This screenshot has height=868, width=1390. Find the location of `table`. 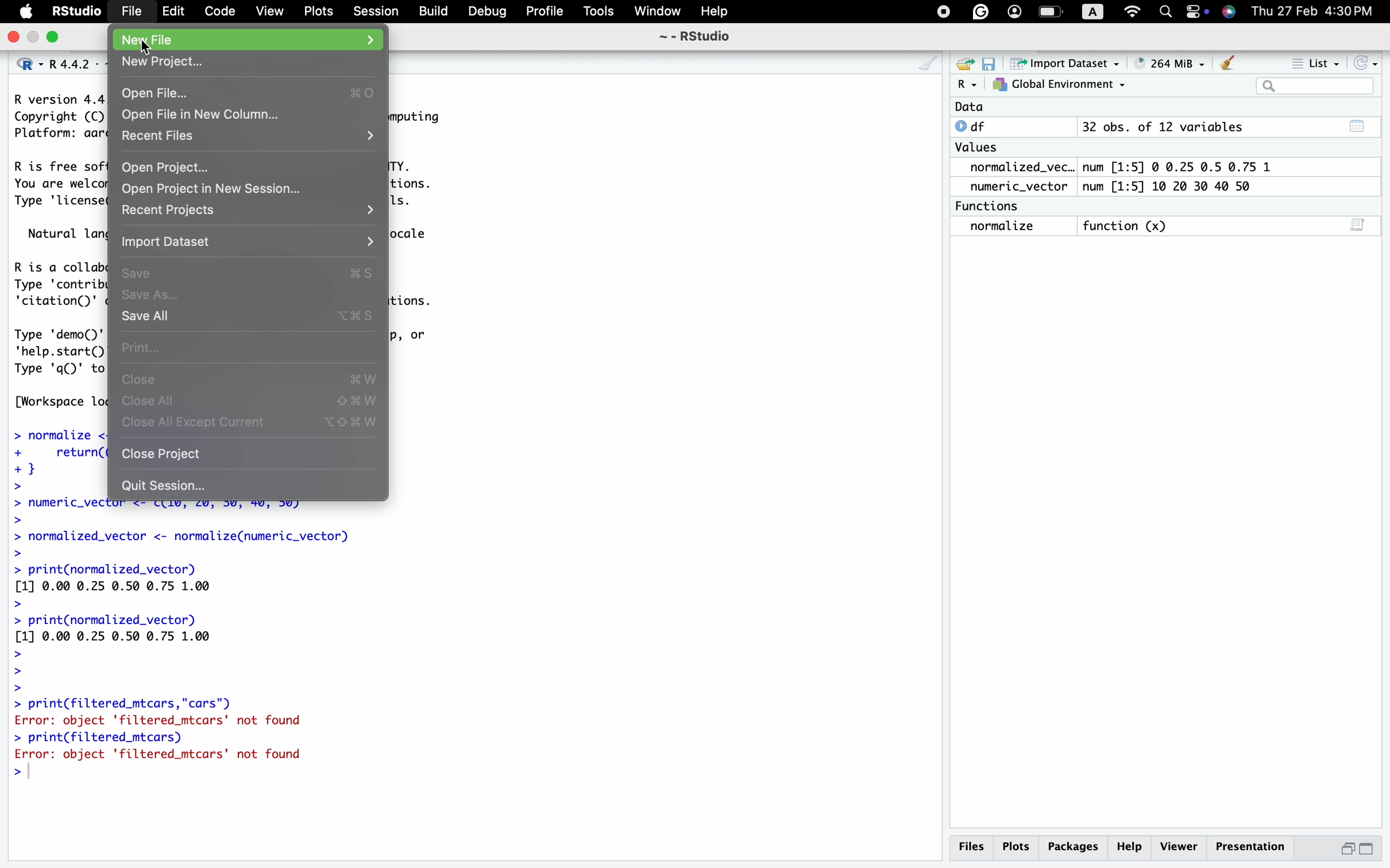

table is located at coordinates (1360, 125).